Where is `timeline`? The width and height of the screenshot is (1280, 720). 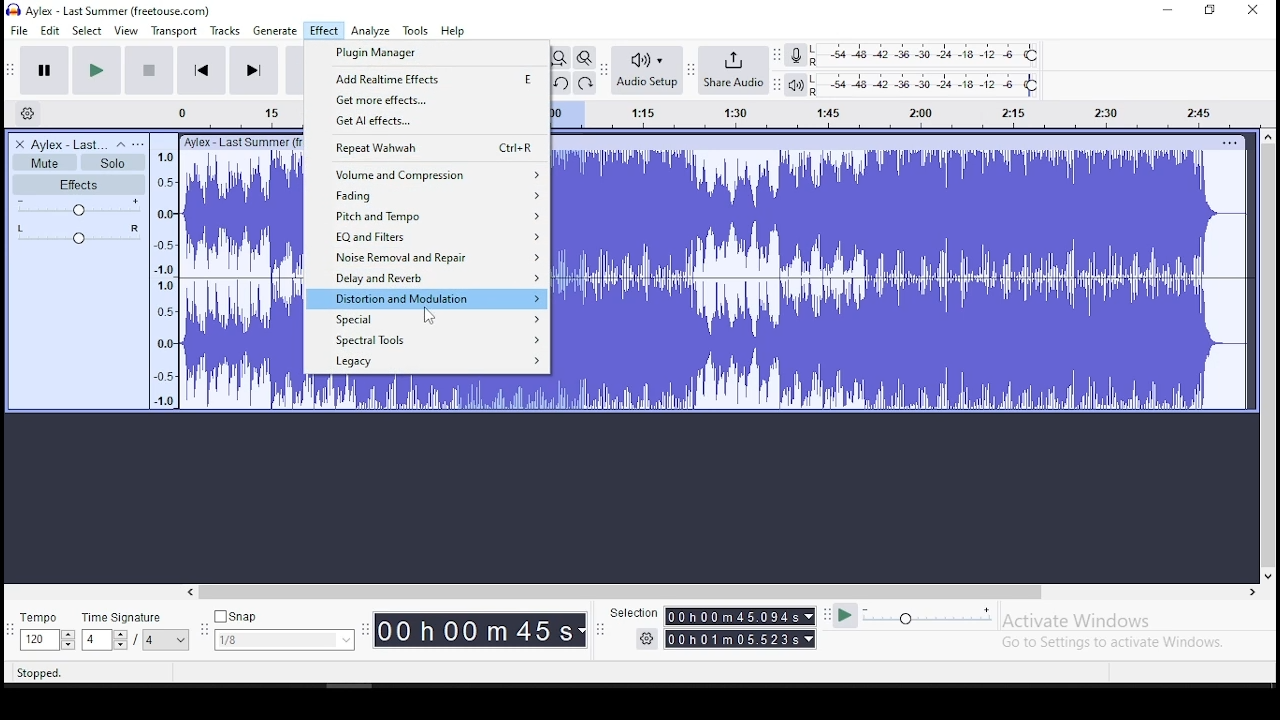 timeline is located at coordinates (888, 110).